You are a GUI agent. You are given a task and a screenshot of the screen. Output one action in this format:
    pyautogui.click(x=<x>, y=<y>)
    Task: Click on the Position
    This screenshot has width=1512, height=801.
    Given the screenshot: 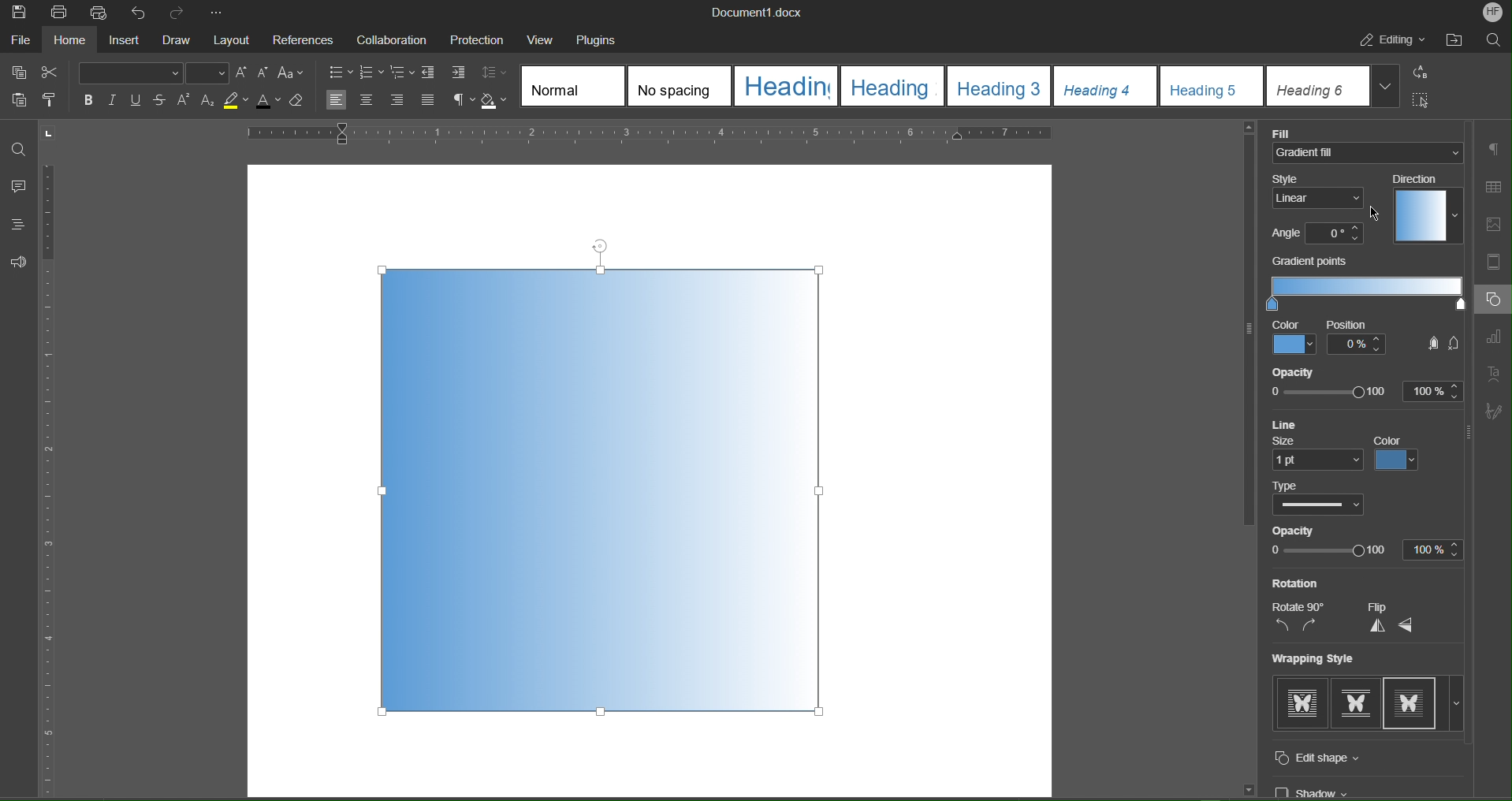 What is the action you would take?
    pyautogui.click(x=1361, y=339)
    